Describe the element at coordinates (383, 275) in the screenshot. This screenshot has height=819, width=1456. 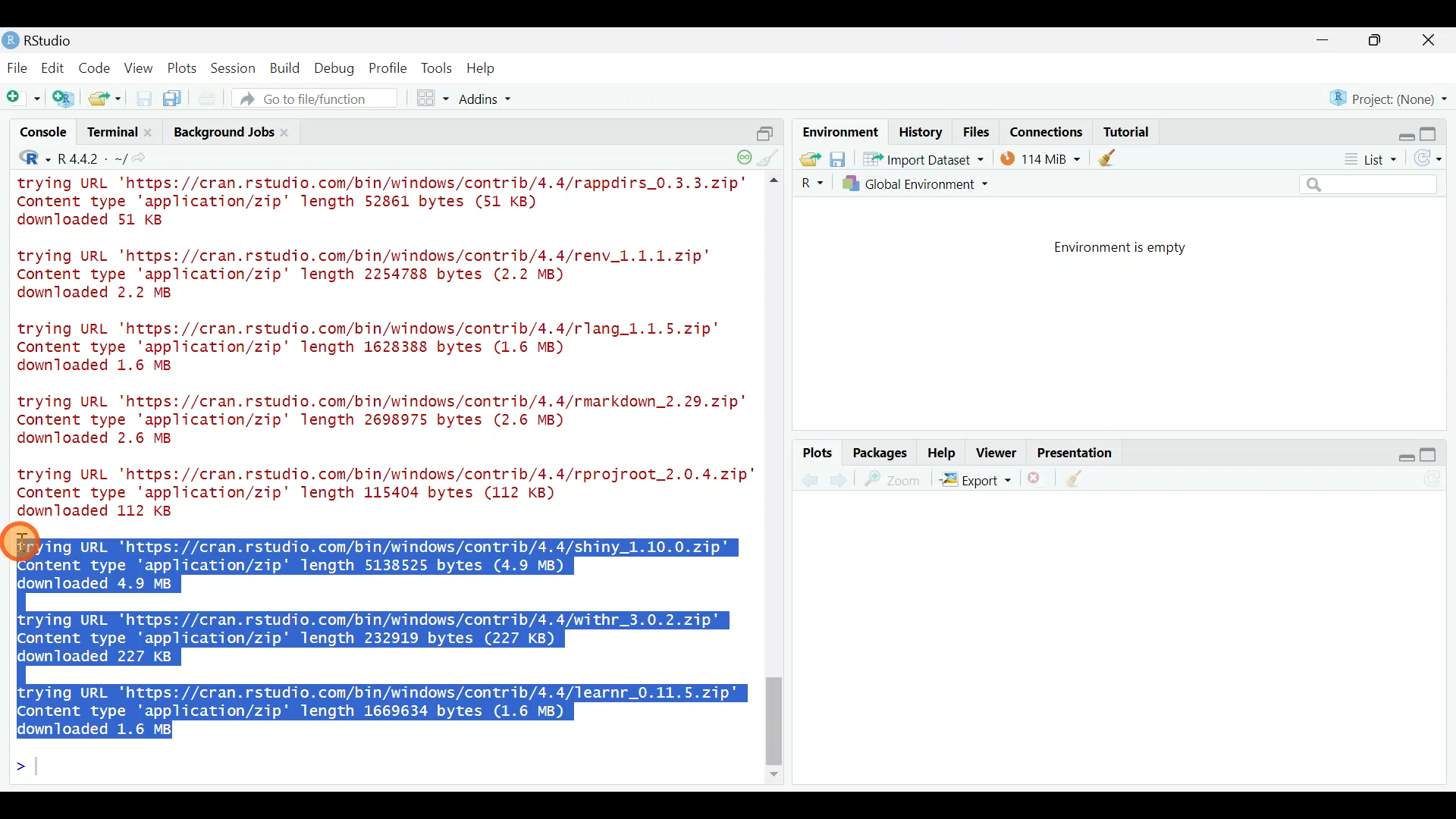
I see `trying URL 'https://cran.rstudio.com/bin/windows/contrib/4.4/renv_1.1.1.zip"
Content type 'application/zip' length 2254788 bytes (2.2 MB)
downloaded 2.2 MB` at that location.